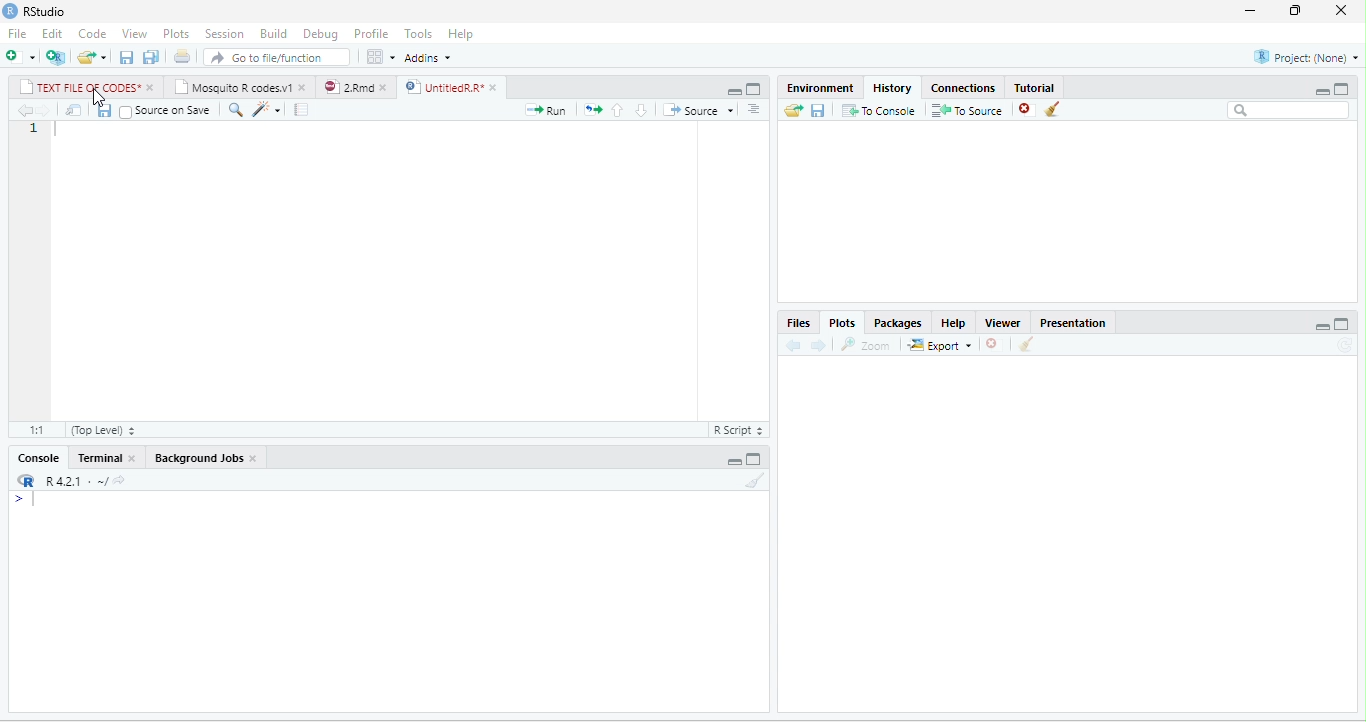 This screenshot has width=1366, height=722. Describe the element at coordinates (235, 110) in the screenshot. I see `search` at that location.